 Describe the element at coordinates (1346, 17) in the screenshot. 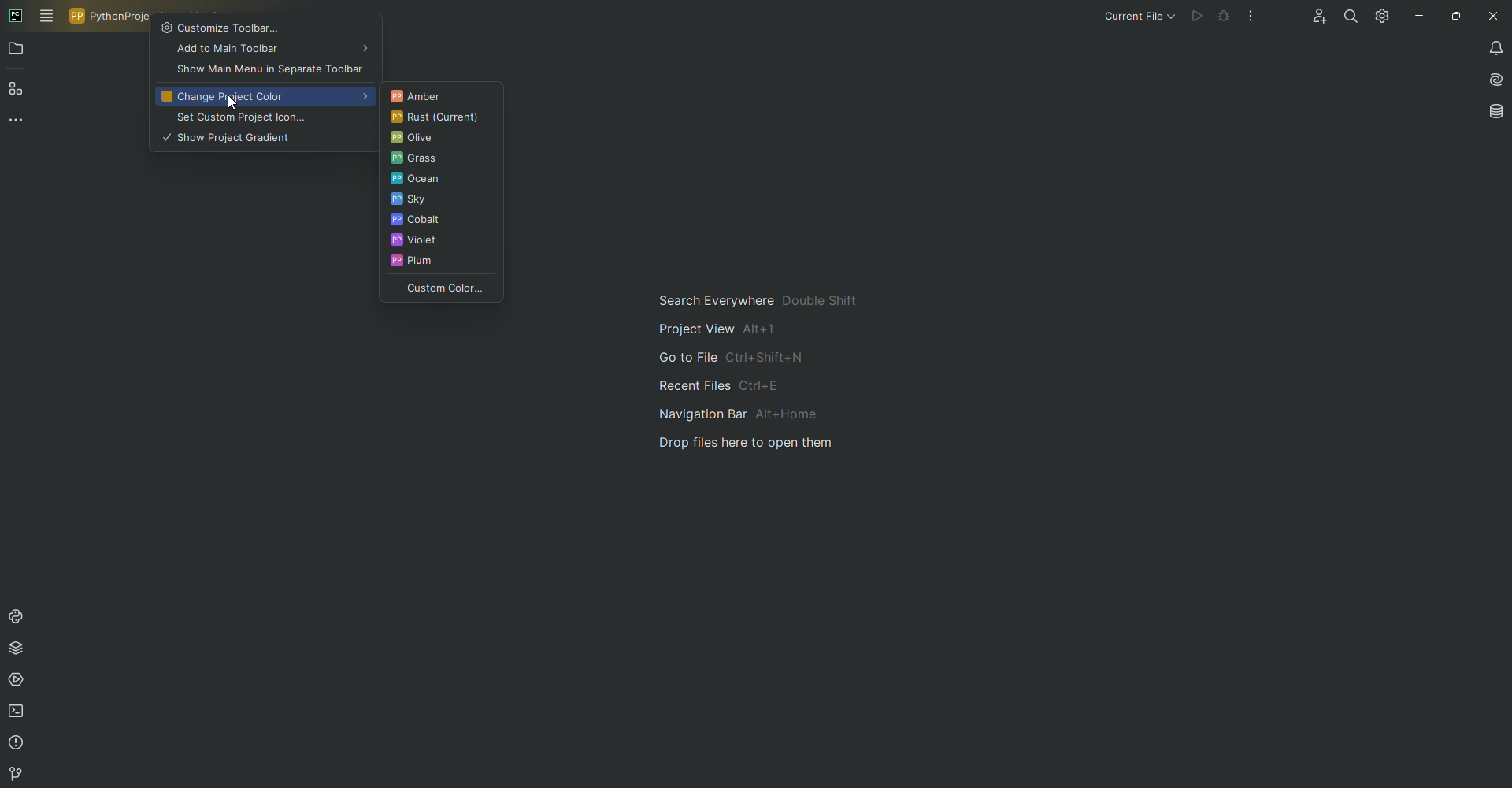

I see `Find` at that location.